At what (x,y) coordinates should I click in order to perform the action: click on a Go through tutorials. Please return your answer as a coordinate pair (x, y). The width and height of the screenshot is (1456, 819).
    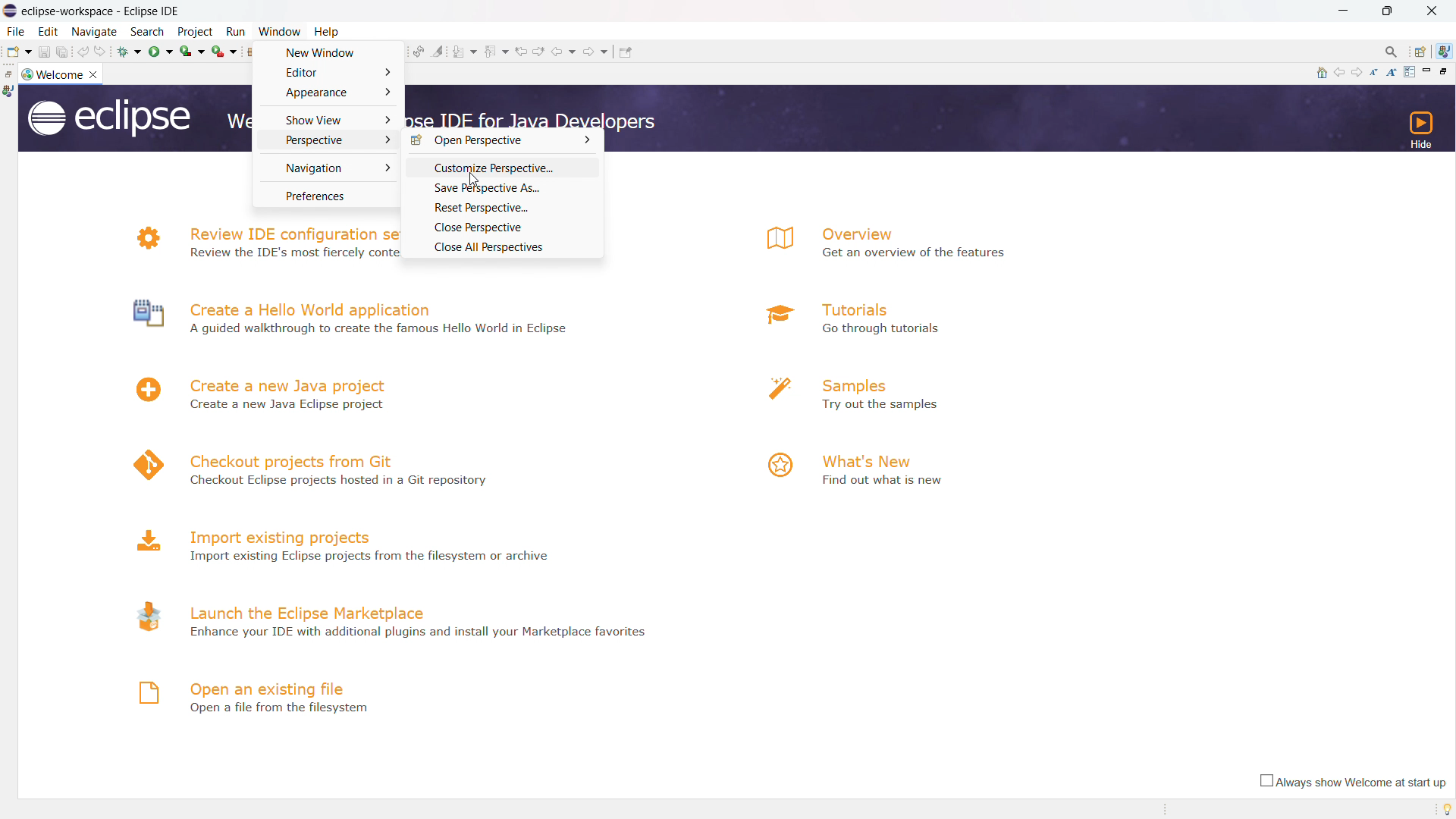
    Looking at the image, I should click on (896, 328).